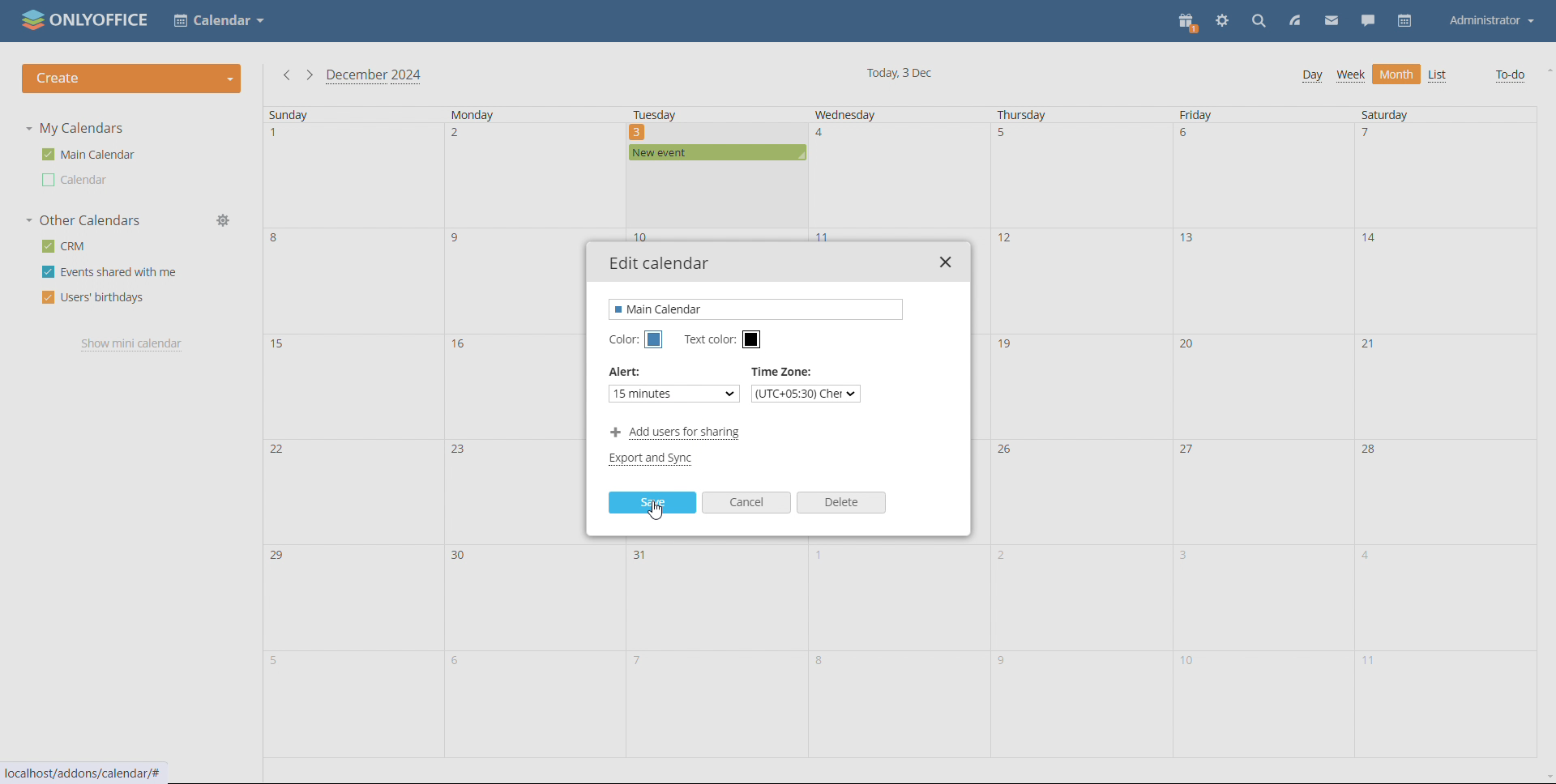  I want to click on to-do, so click(1511, 76).